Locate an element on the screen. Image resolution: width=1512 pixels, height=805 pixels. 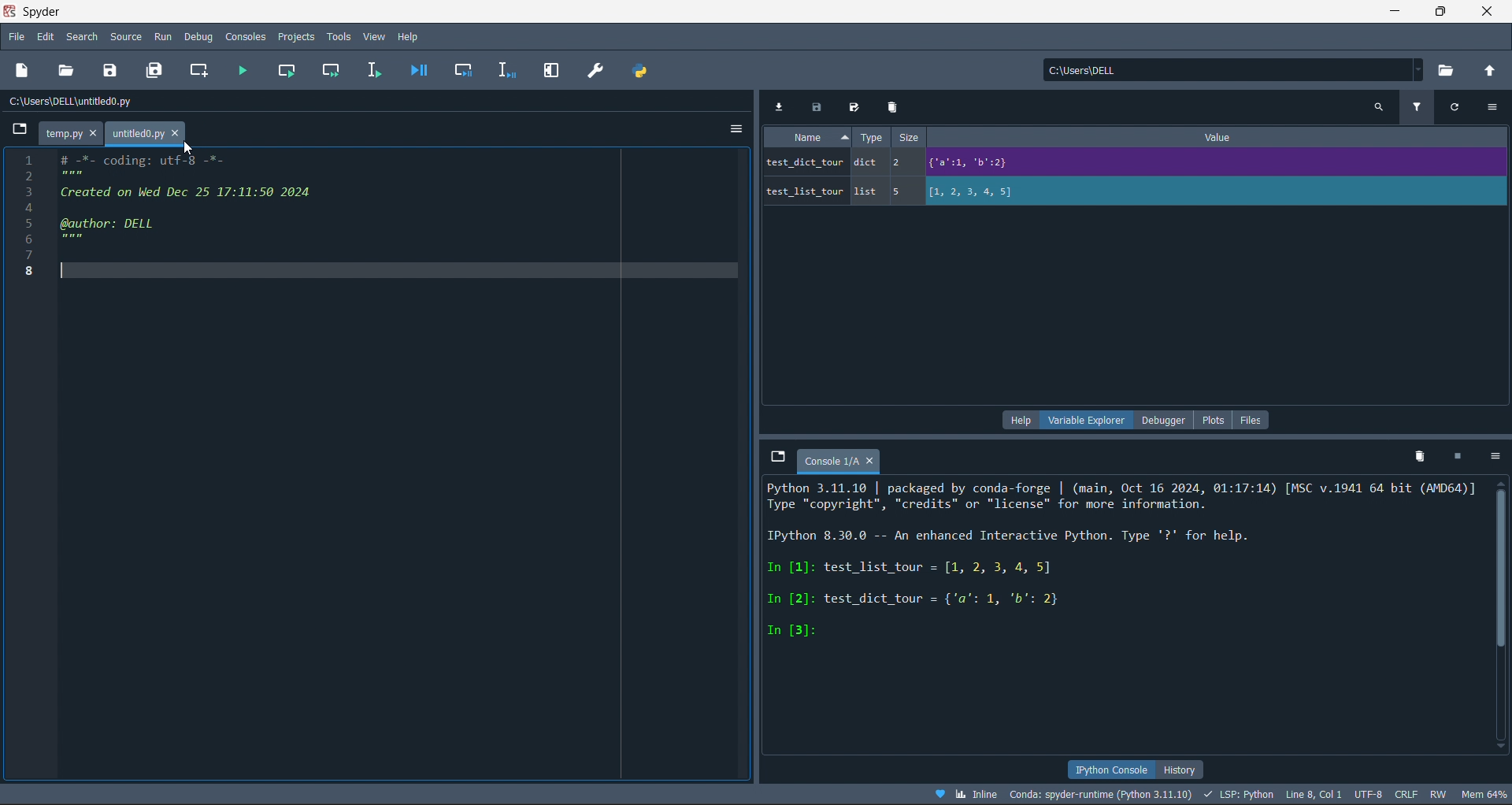
run cell is located at coordinates (286, 69).